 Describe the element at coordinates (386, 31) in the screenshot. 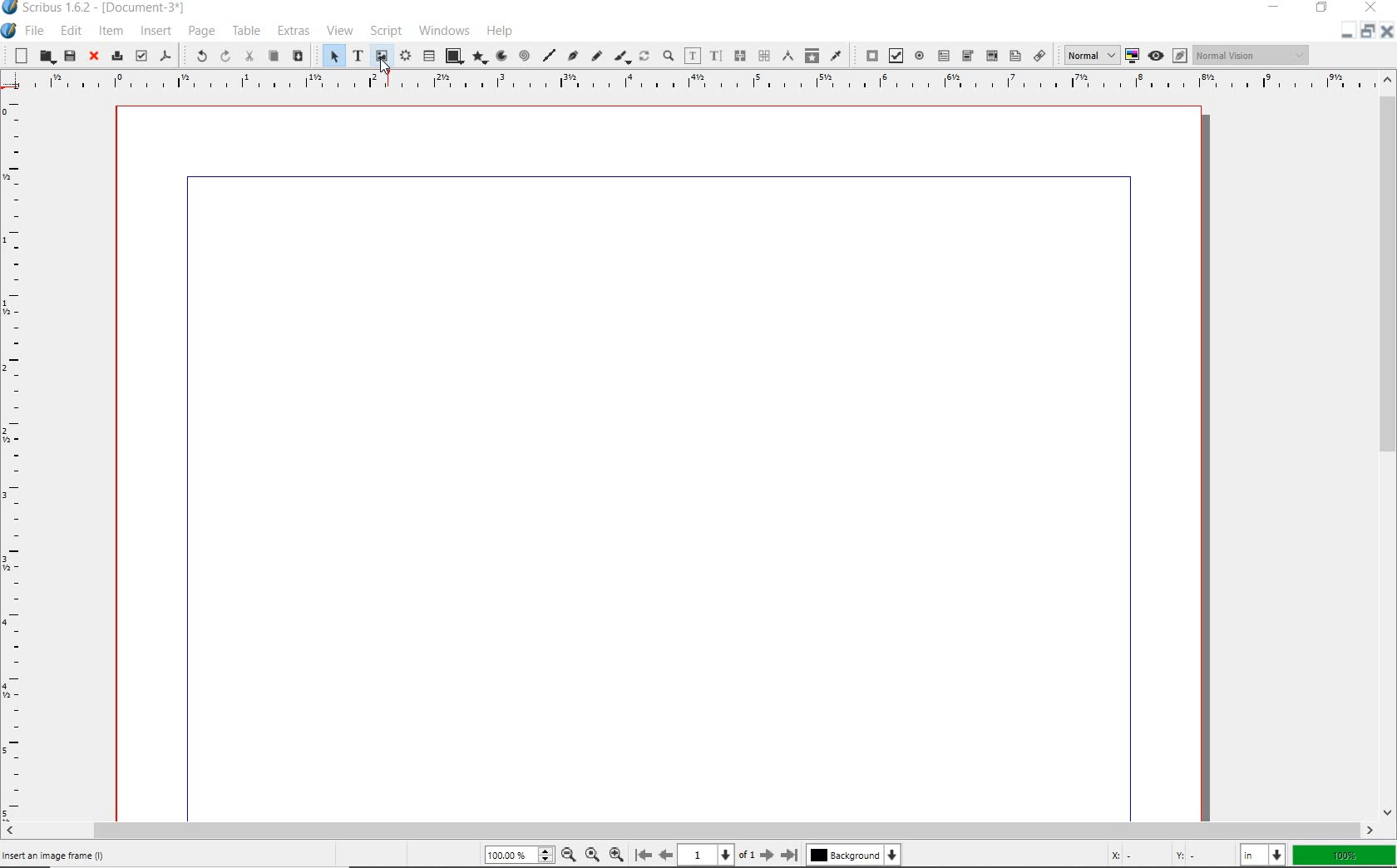

I see `SCRIPT` at that location.